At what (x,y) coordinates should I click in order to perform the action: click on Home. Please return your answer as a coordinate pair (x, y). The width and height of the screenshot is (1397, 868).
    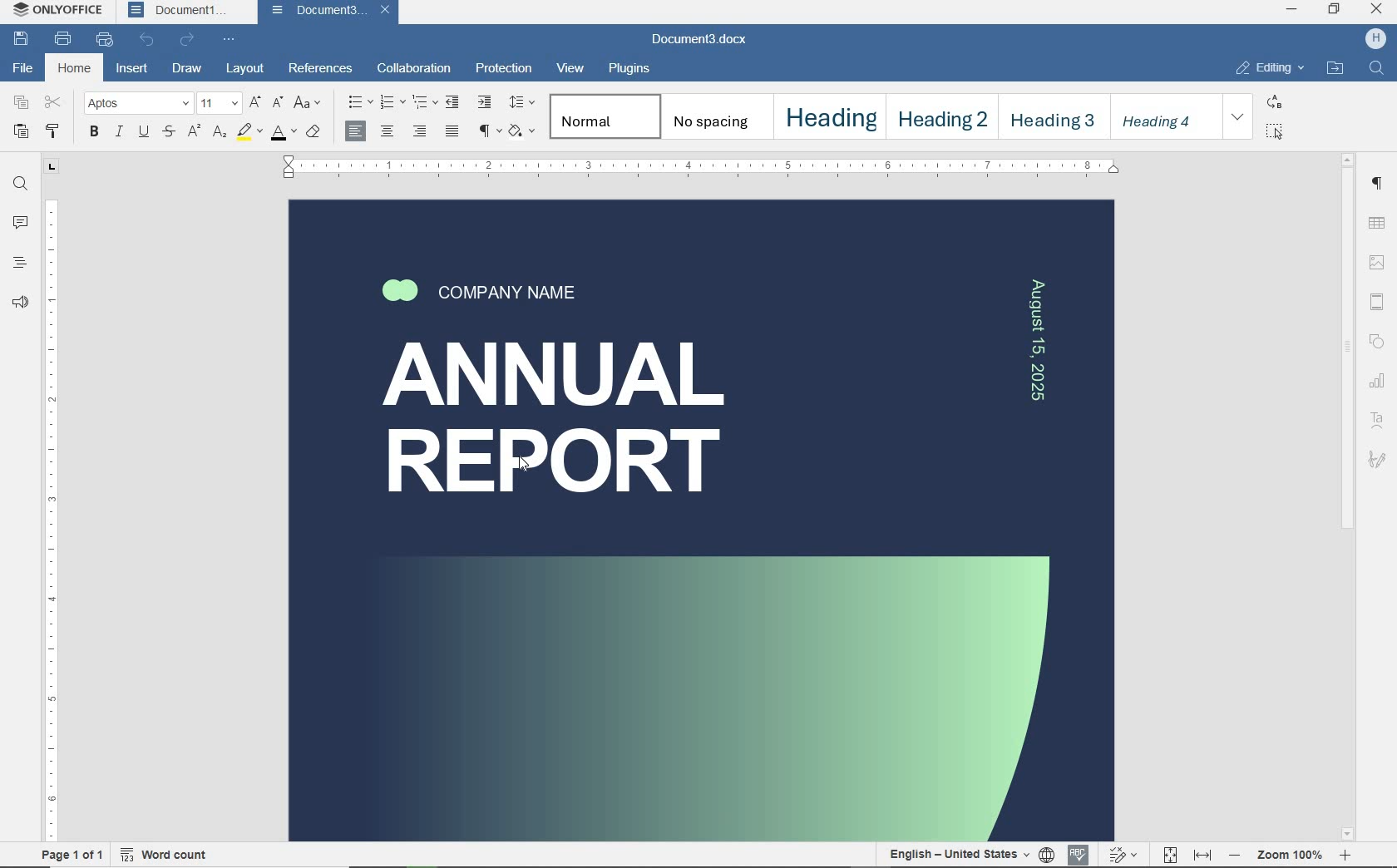
    Looking at the image, I should click on (74, 69).